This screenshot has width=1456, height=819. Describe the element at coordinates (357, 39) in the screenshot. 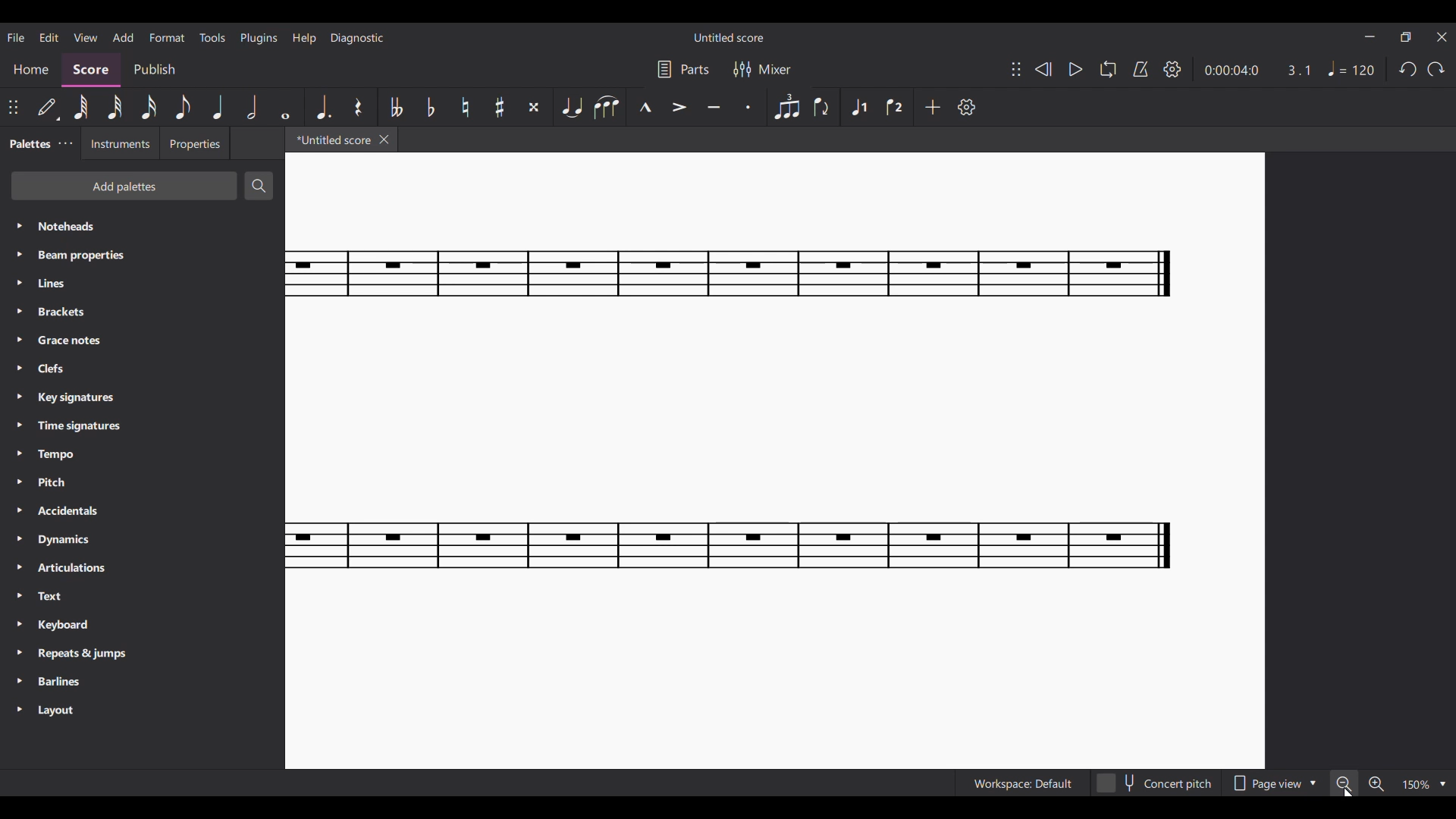

I see `Diagnostic menu` at that location.